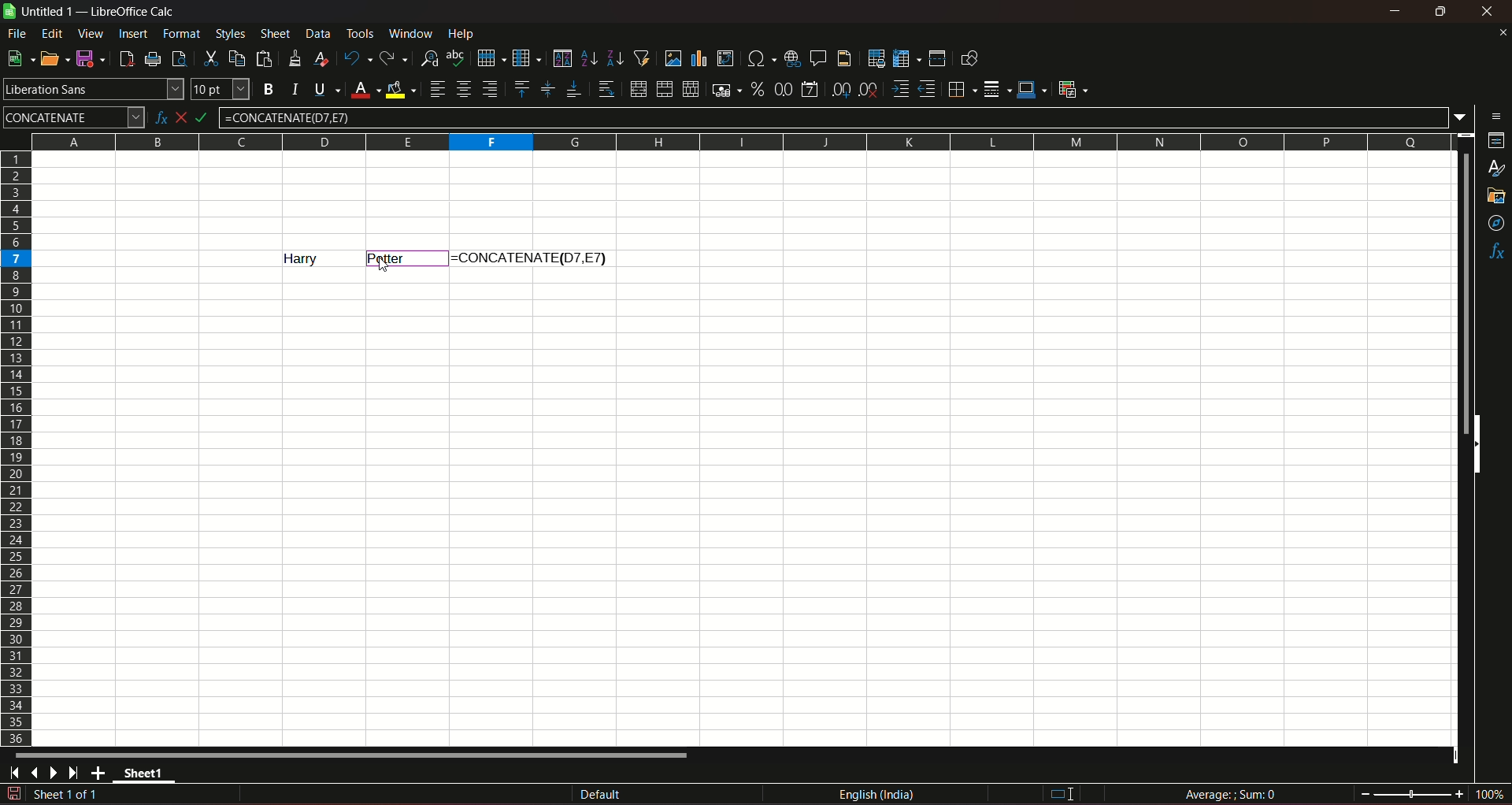  I want to click on insert image, so click(673, 58).